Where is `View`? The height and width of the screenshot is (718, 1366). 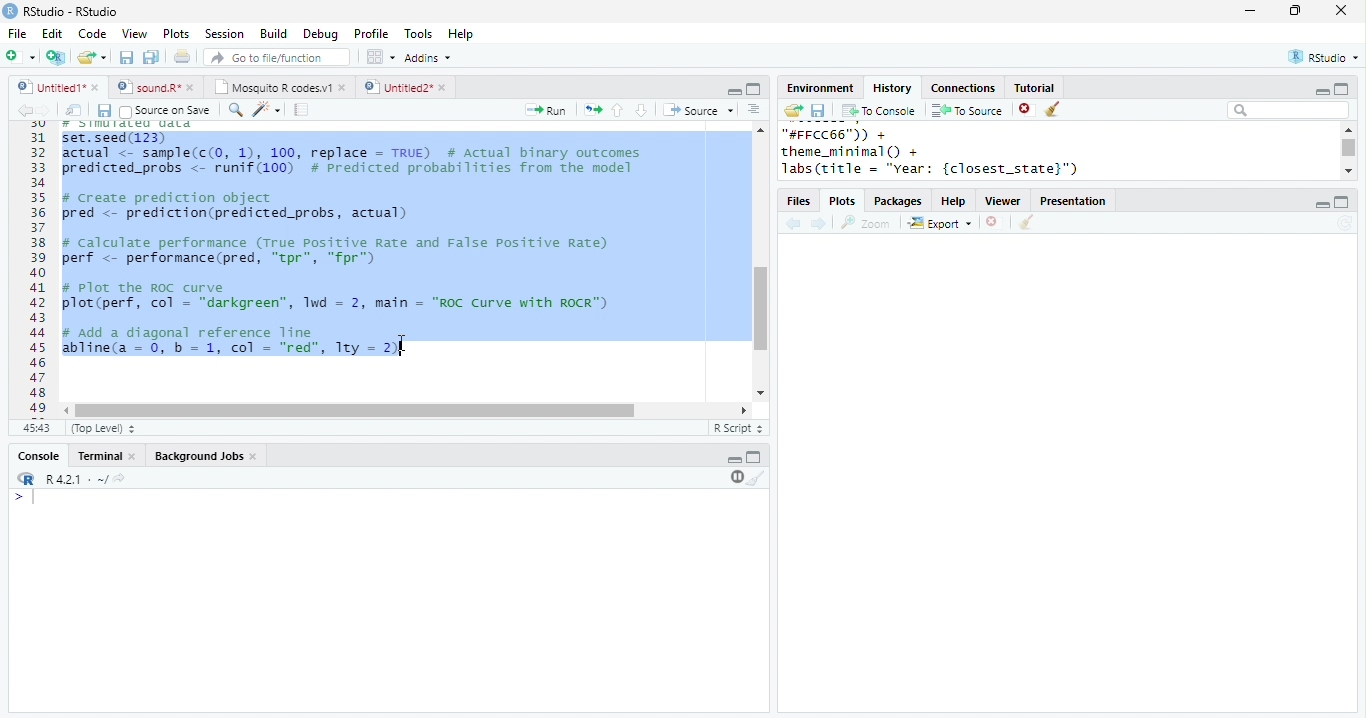 View is located at coordinates (134, 34).